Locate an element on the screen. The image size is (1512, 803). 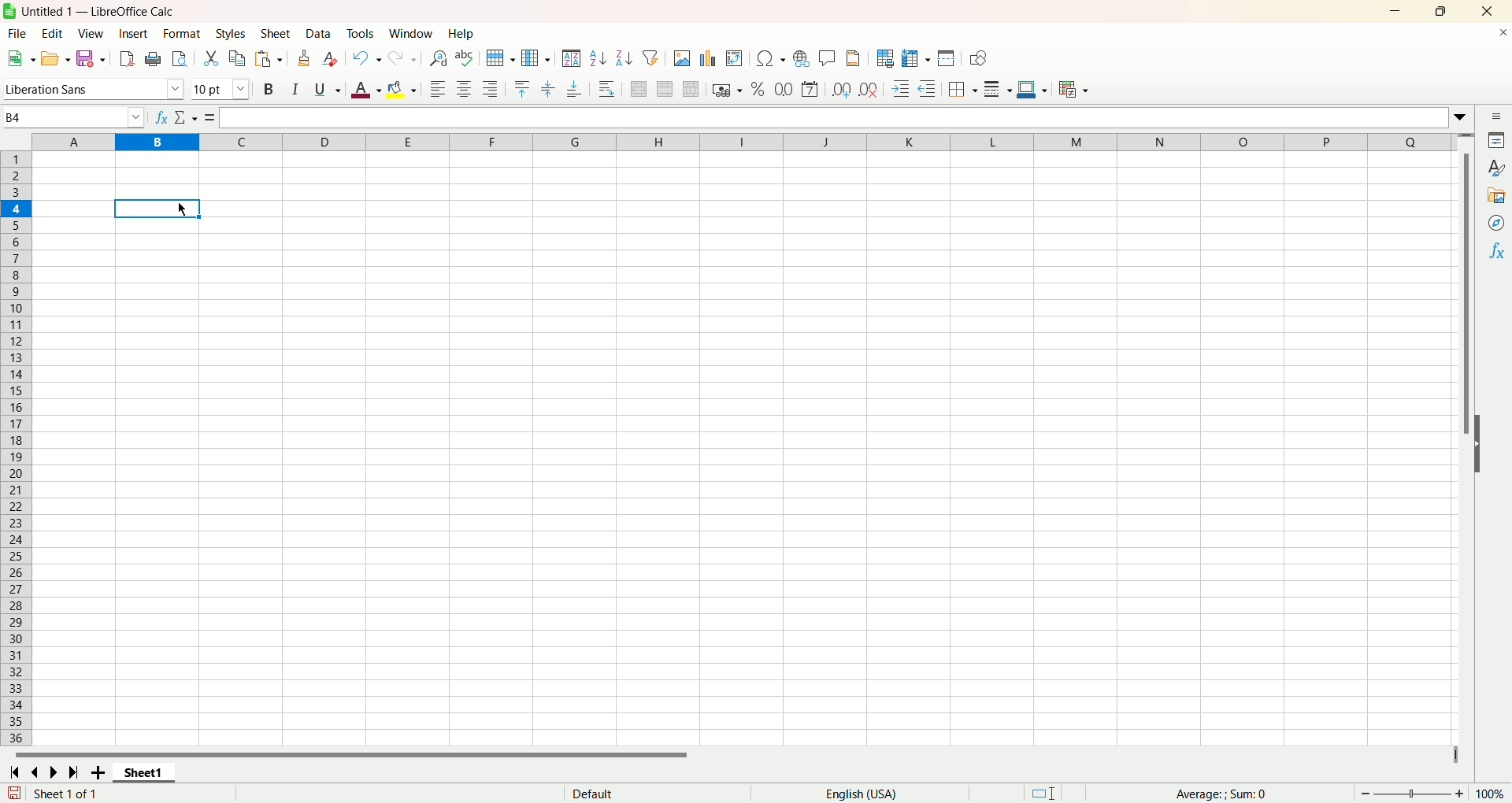
condition is located at coordinates (1073, 89).